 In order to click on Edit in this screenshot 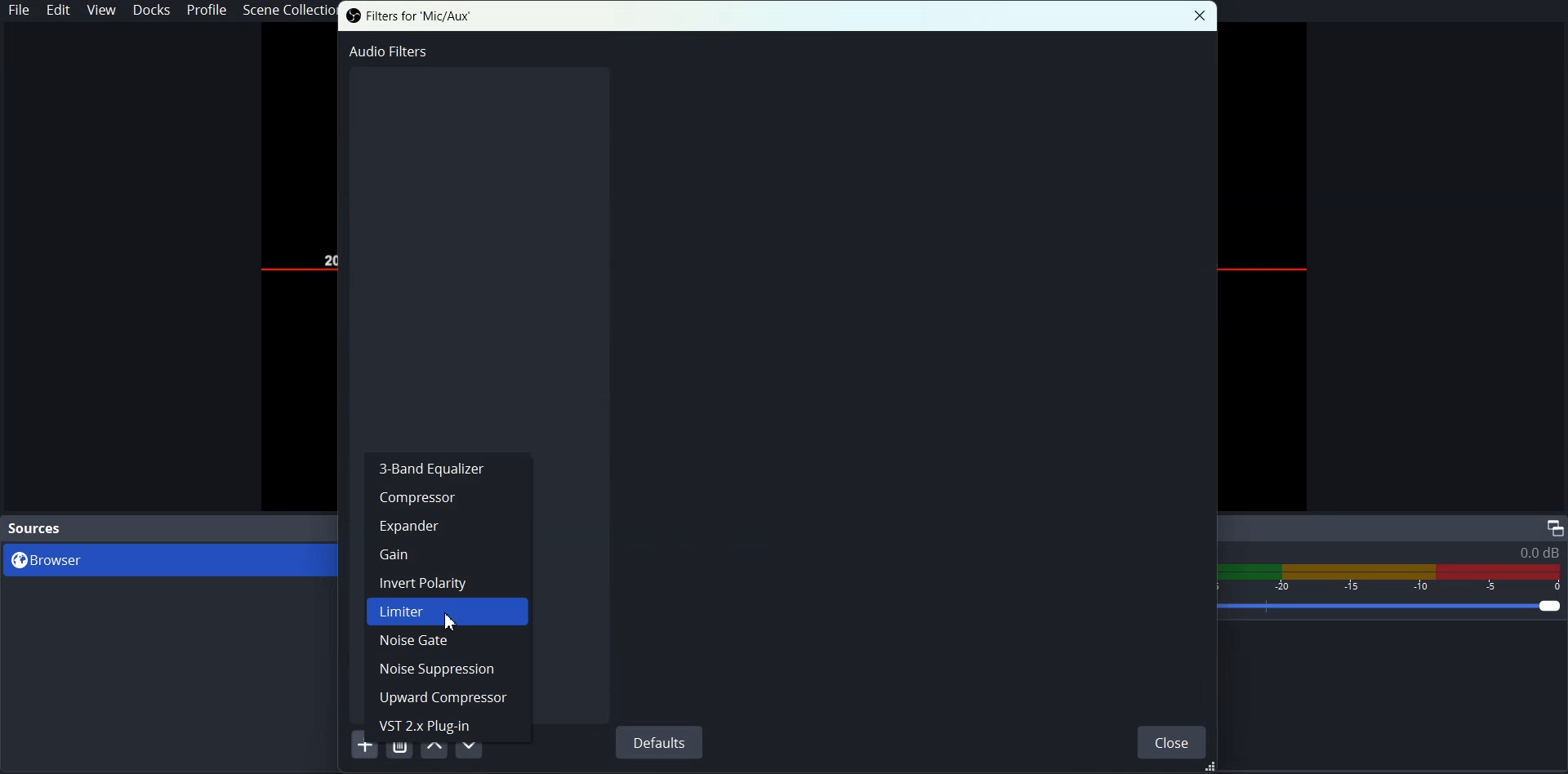, I will do `click(60, 11)`.